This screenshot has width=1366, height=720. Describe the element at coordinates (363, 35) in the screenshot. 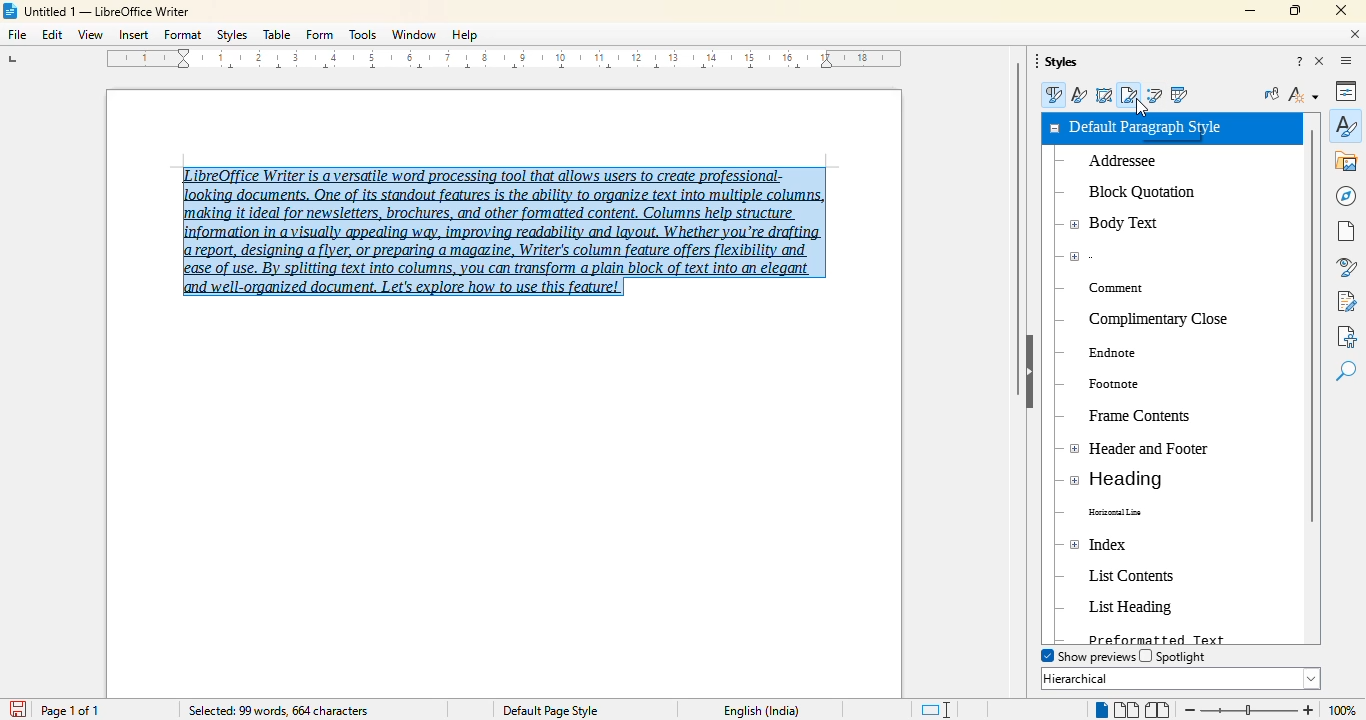

I see `tools` at that location.